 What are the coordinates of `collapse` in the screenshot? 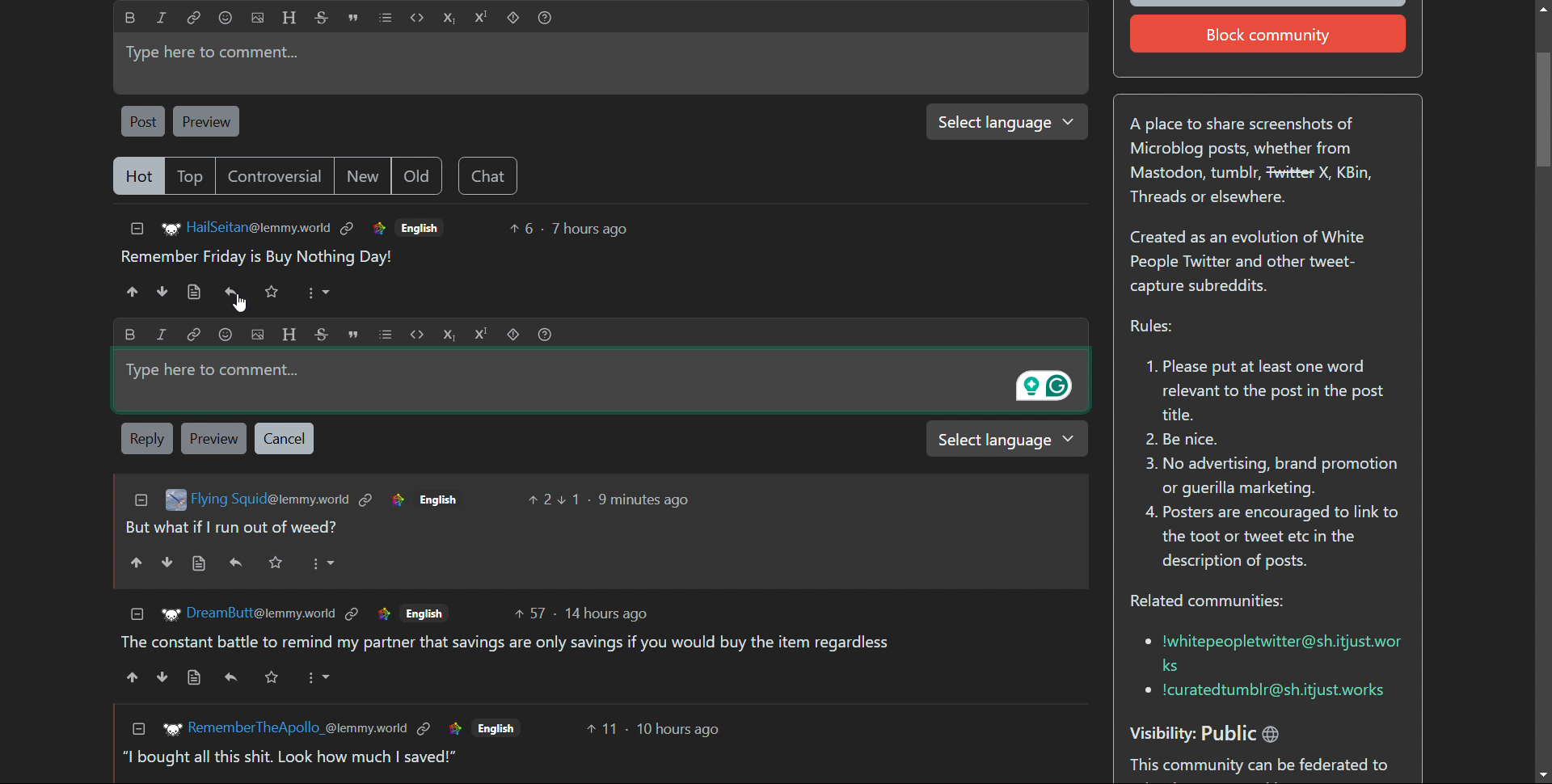 It's located at (141, 499).